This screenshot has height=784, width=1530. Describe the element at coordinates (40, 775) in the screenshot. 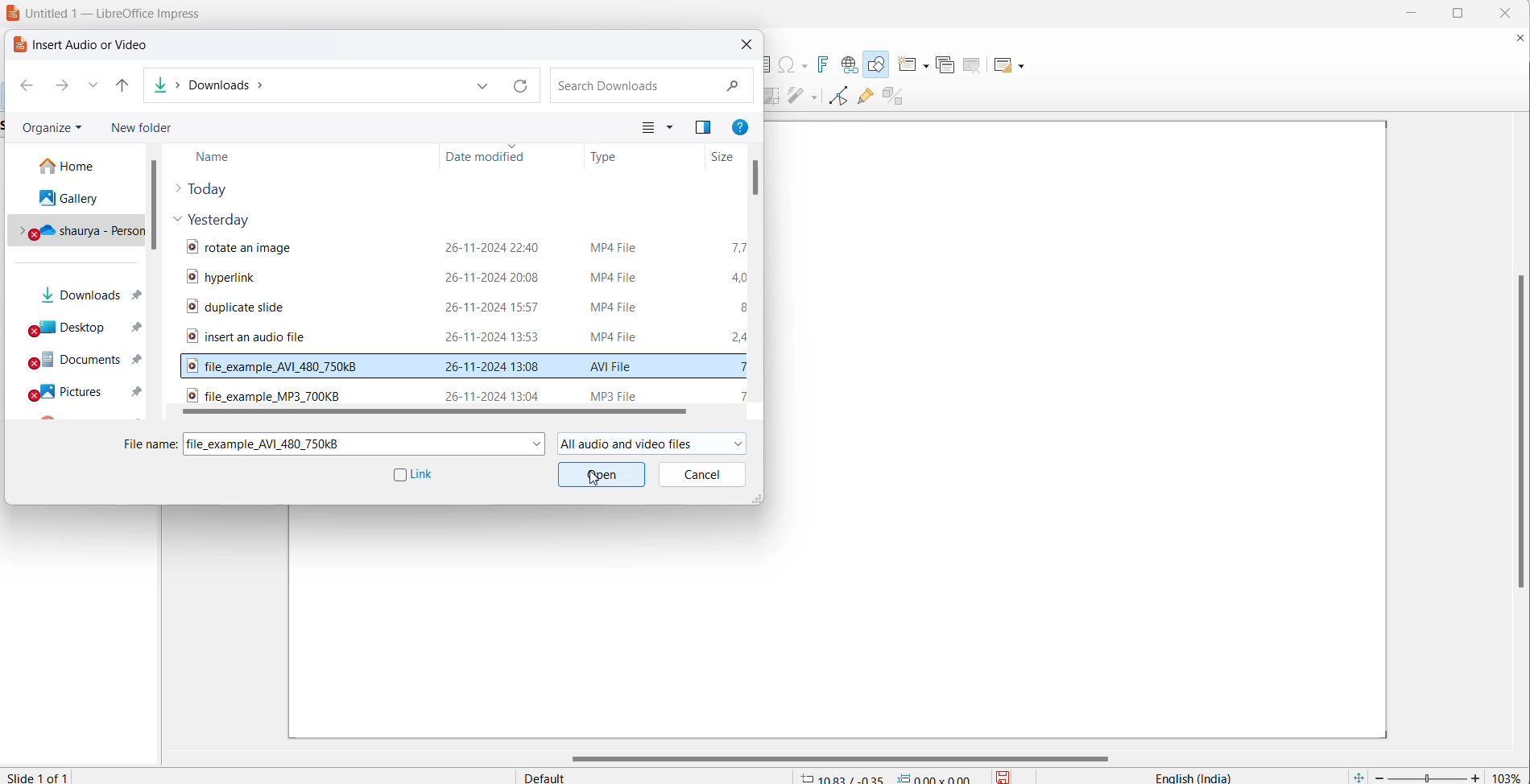

I see `current slide number` at that location.